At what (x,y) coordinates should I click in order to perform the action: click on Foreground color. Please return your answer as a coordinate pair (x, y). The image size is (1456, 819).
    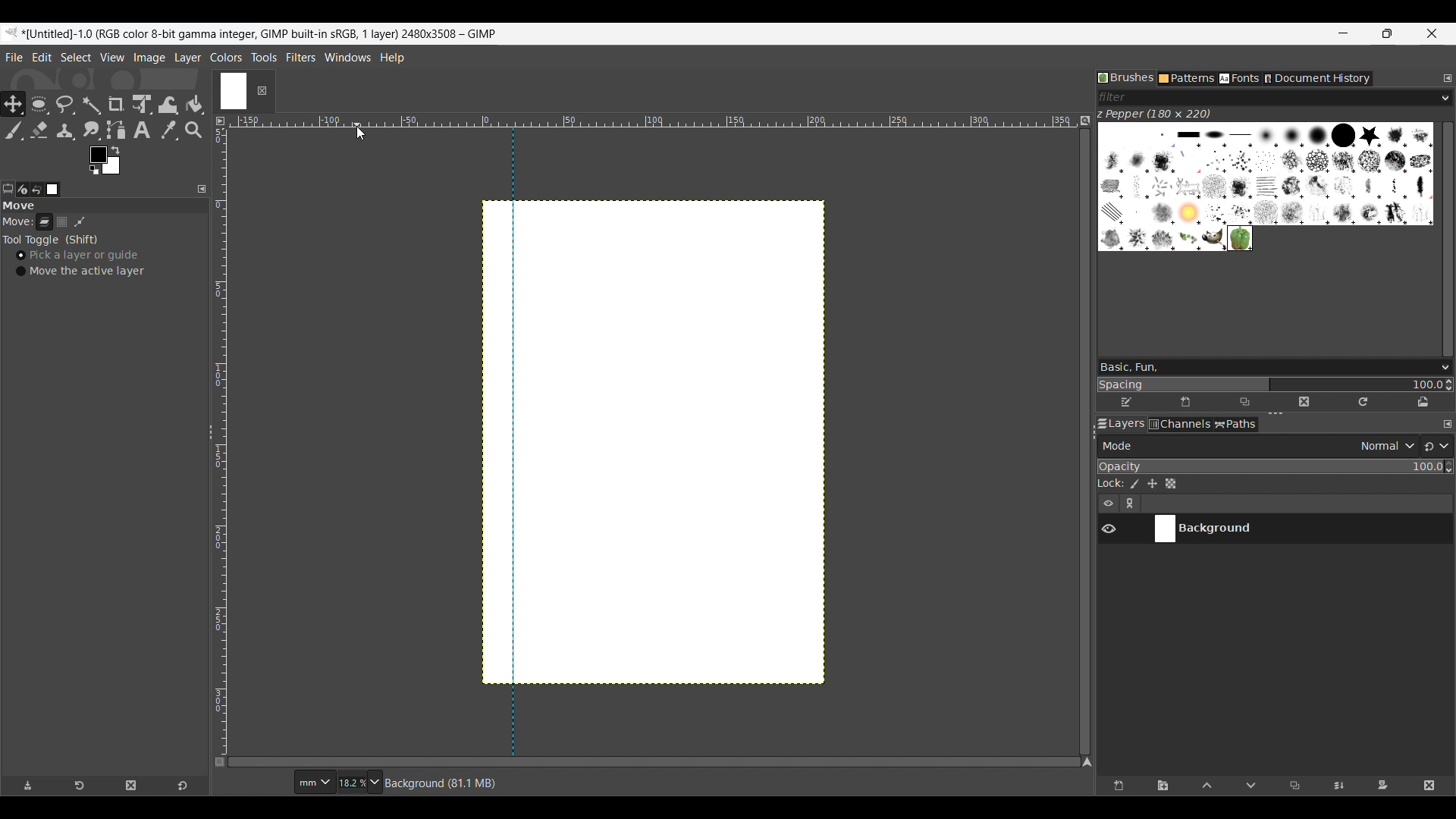
    Looking at the image, I should click on (104, 160).